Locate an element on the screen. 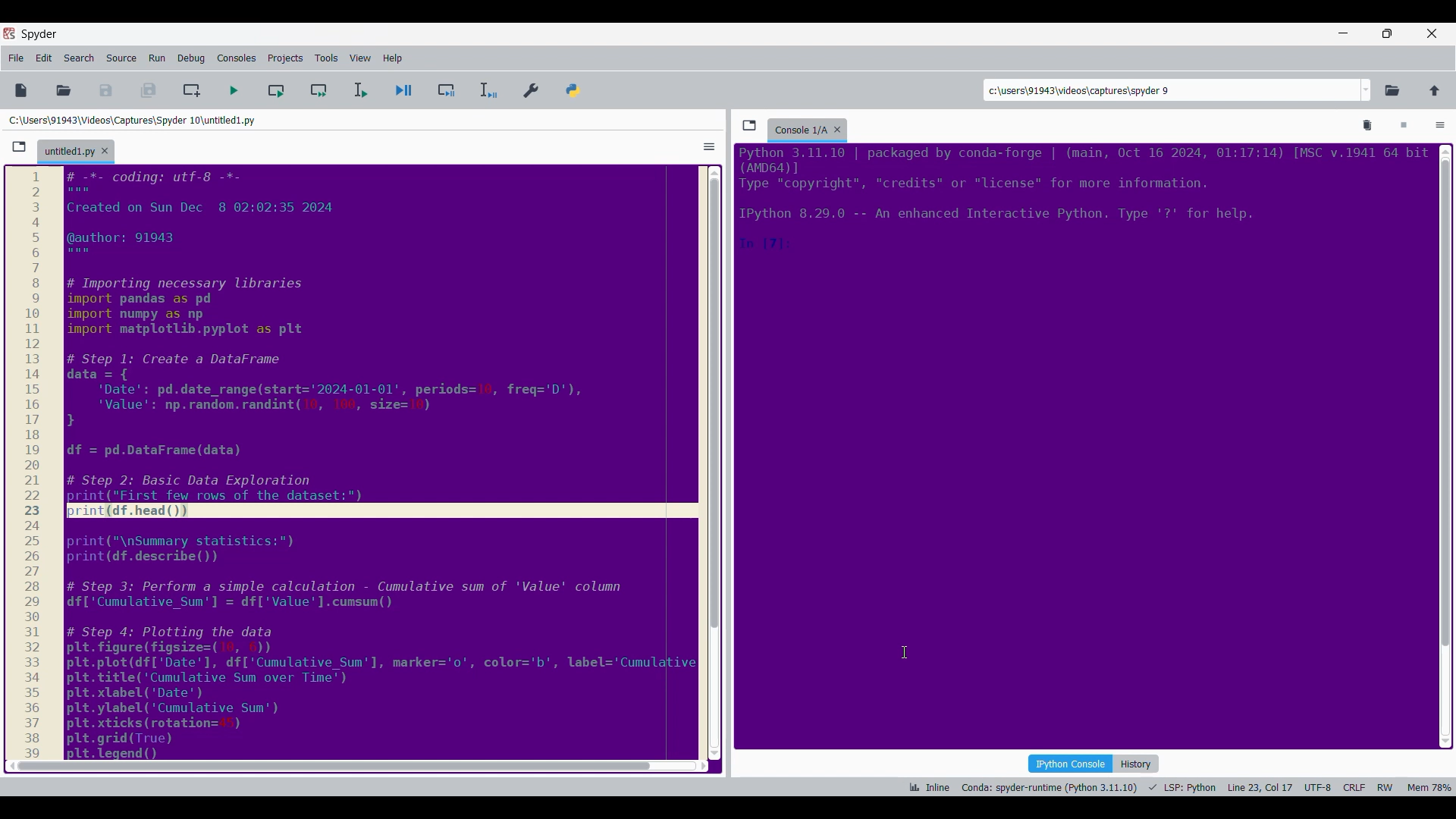 The image size is (1456, 819). Options is located at coordinates (1440, 127).